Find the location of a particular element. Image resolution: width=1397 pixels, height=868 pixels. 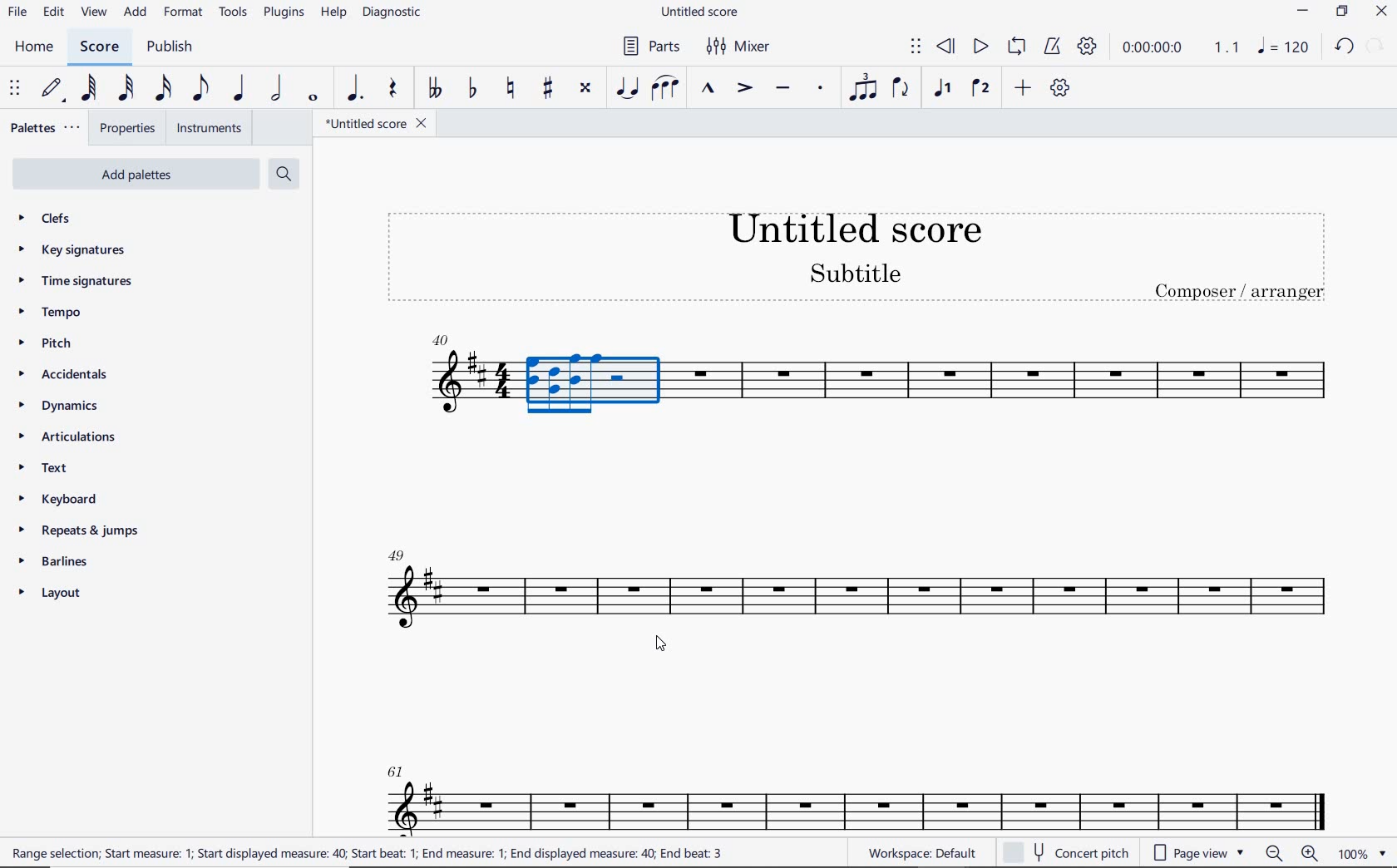

ADD is located at coordinates (1020, 89).